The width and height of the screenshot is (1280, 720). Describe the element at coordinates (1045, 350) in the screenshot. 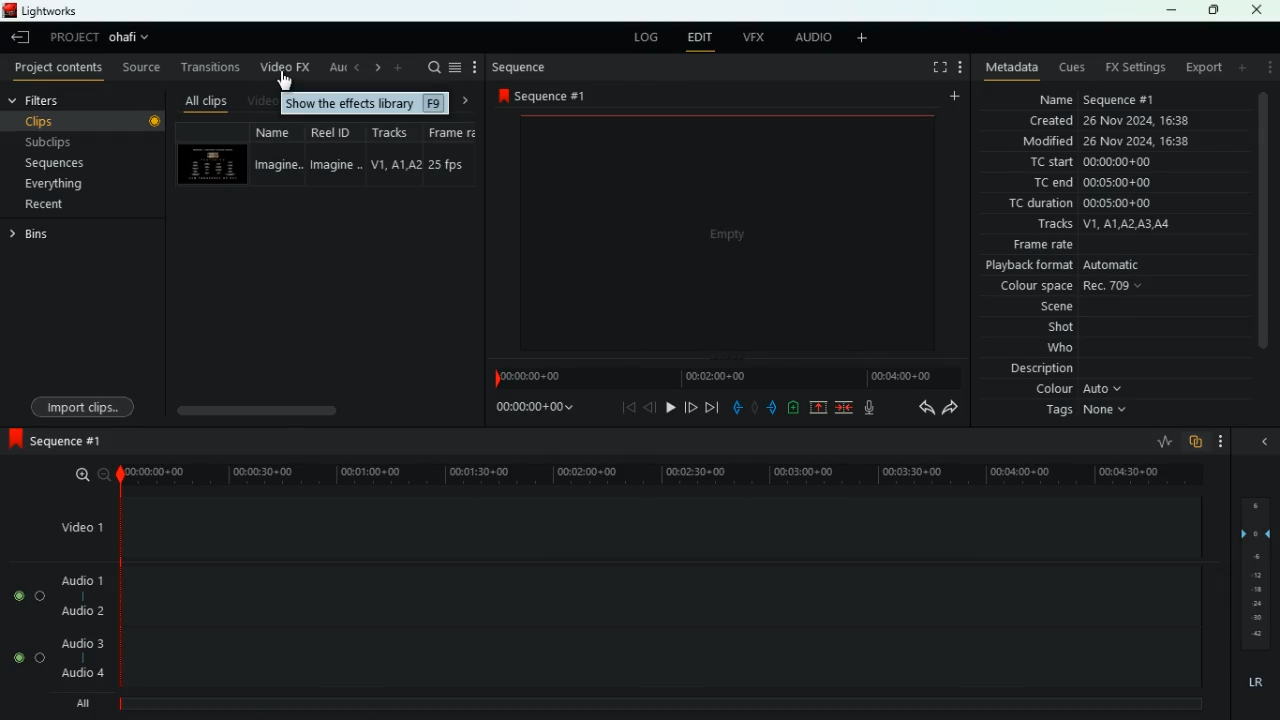

I see `who` at that location.